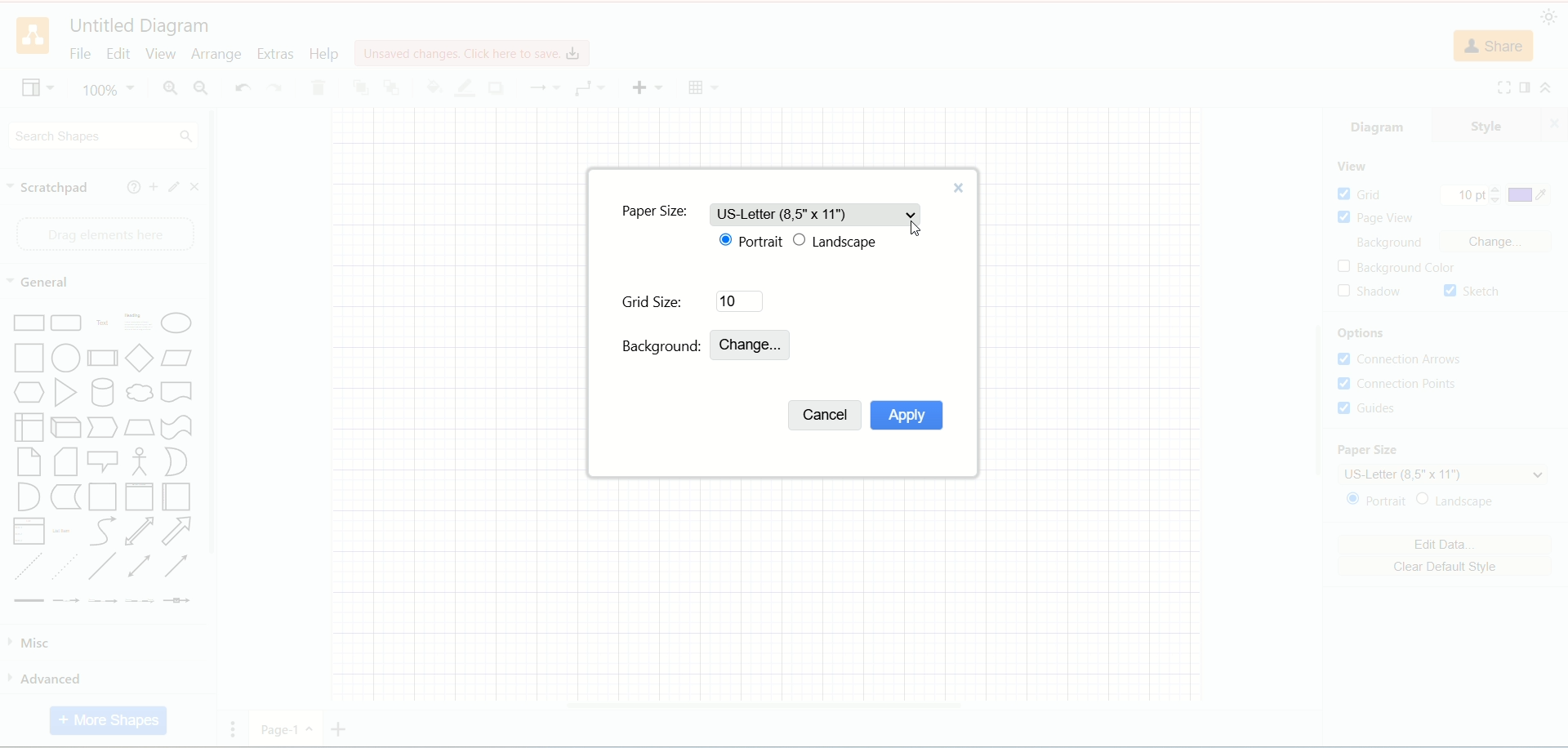  What do you see at coordinates (957, 185) in the screenshot?
I see `close` at bounding box center [957, 185].